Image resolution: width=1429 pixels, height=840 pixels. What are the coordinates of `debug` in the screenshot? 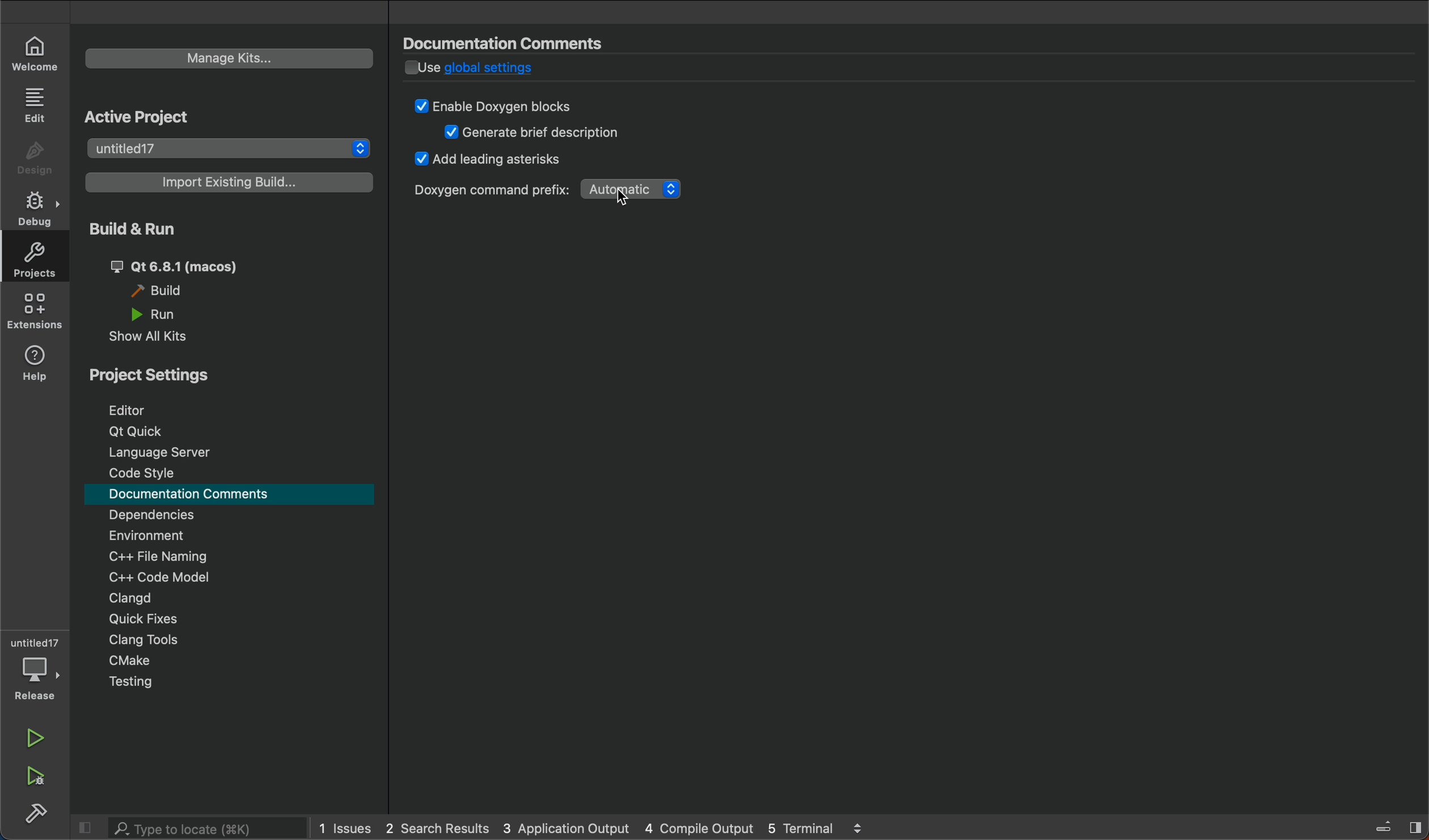 It's located at (34, 212).